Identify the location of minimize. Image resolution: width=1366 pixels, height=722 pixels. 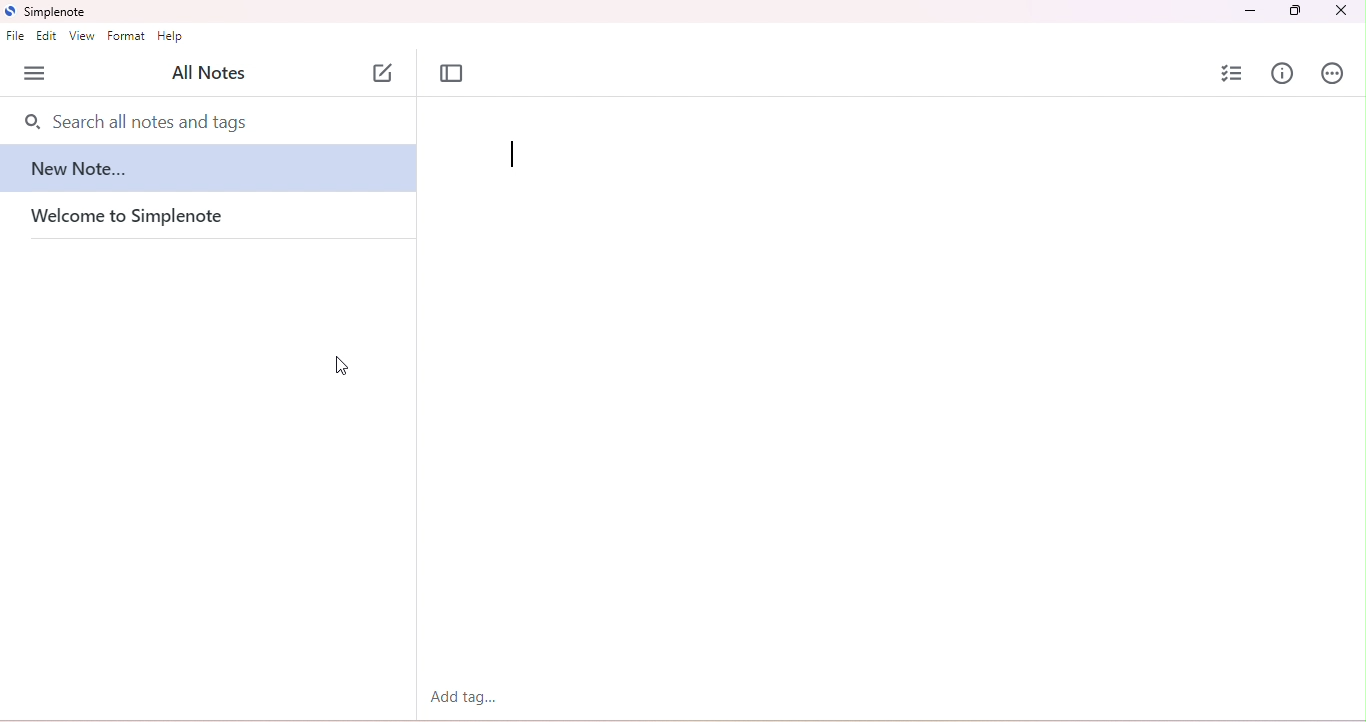
(1248, 12).